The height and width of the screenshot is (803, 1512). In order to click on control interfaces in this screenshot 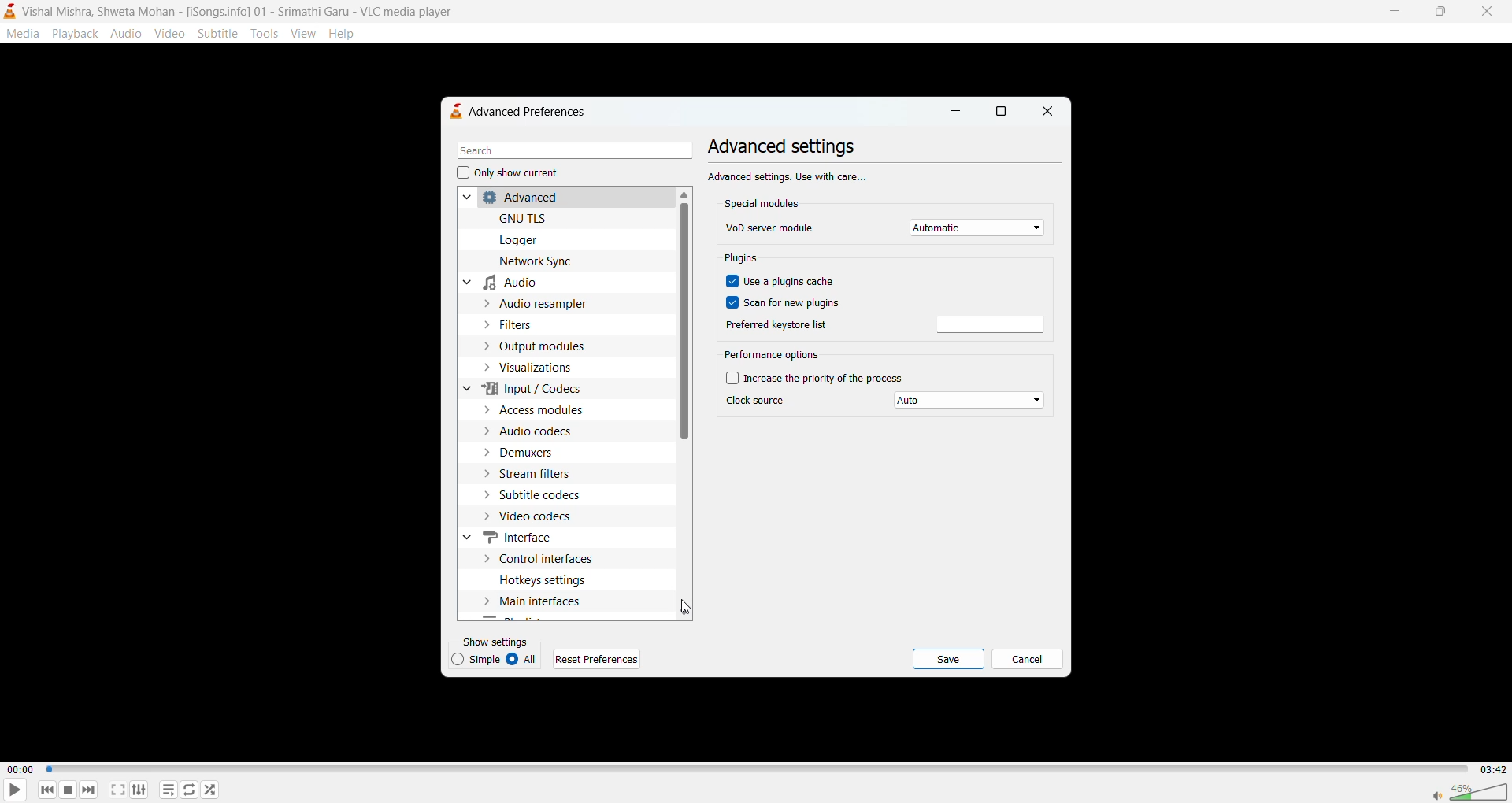, I will do `click(552, 557)`.